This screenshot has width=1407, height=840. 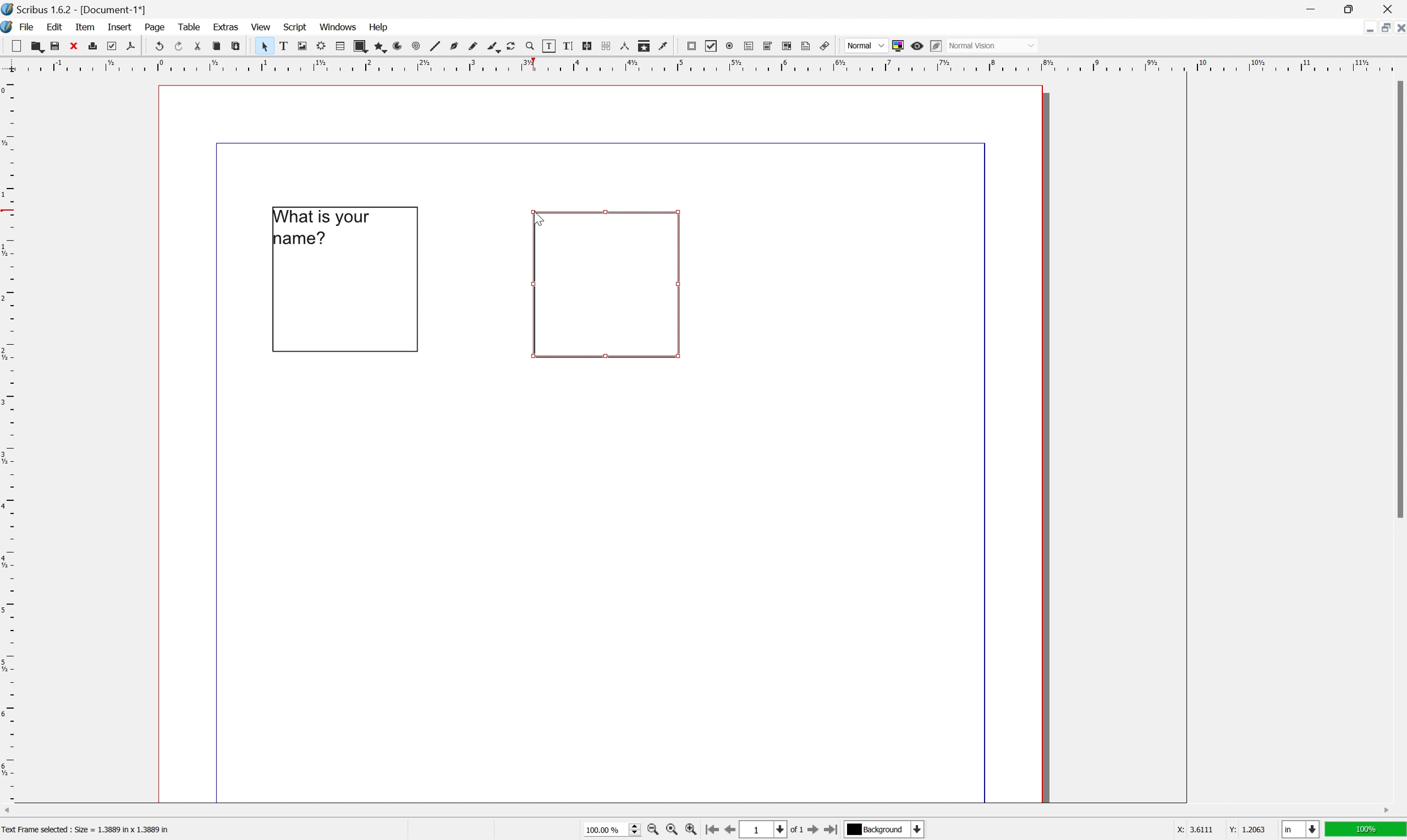 What do you see at coordinates (1364, 28) in the screenshot?
I see `minimize` at bounding box center [1364, 28].